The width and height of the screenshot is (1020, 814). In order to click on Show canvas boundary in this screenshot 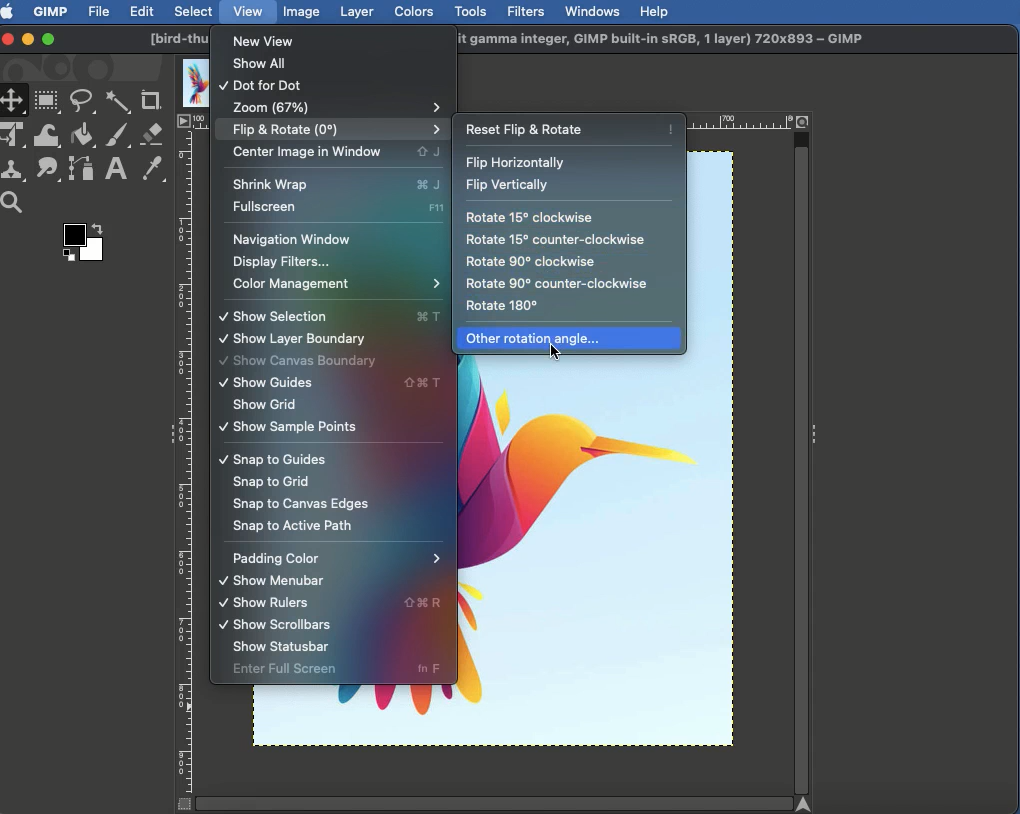, I will do `click(299, 361)`.